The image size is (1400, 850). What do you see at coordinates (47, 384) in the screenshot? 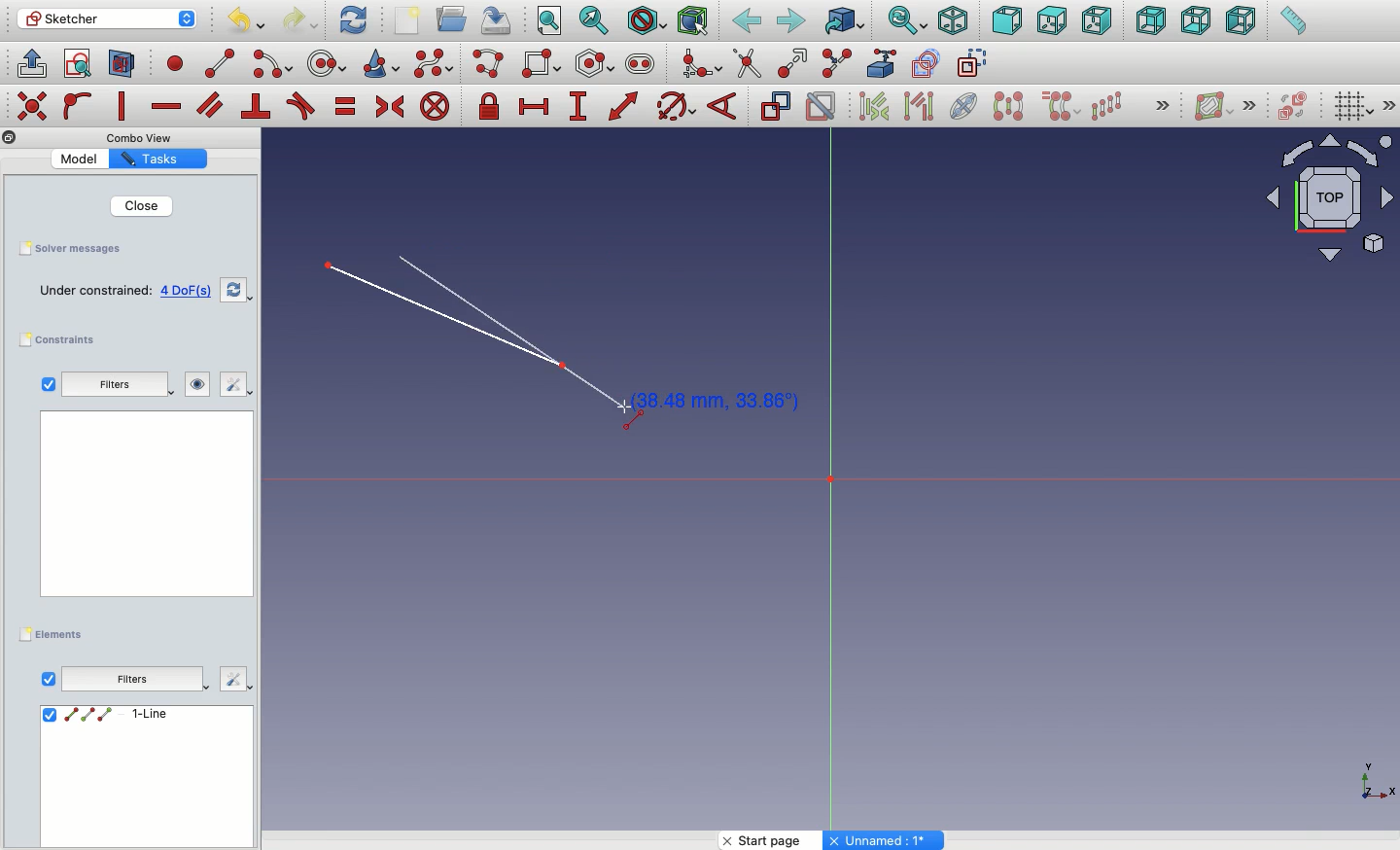
I see `Checkbox` at bounding box center [47, 384].